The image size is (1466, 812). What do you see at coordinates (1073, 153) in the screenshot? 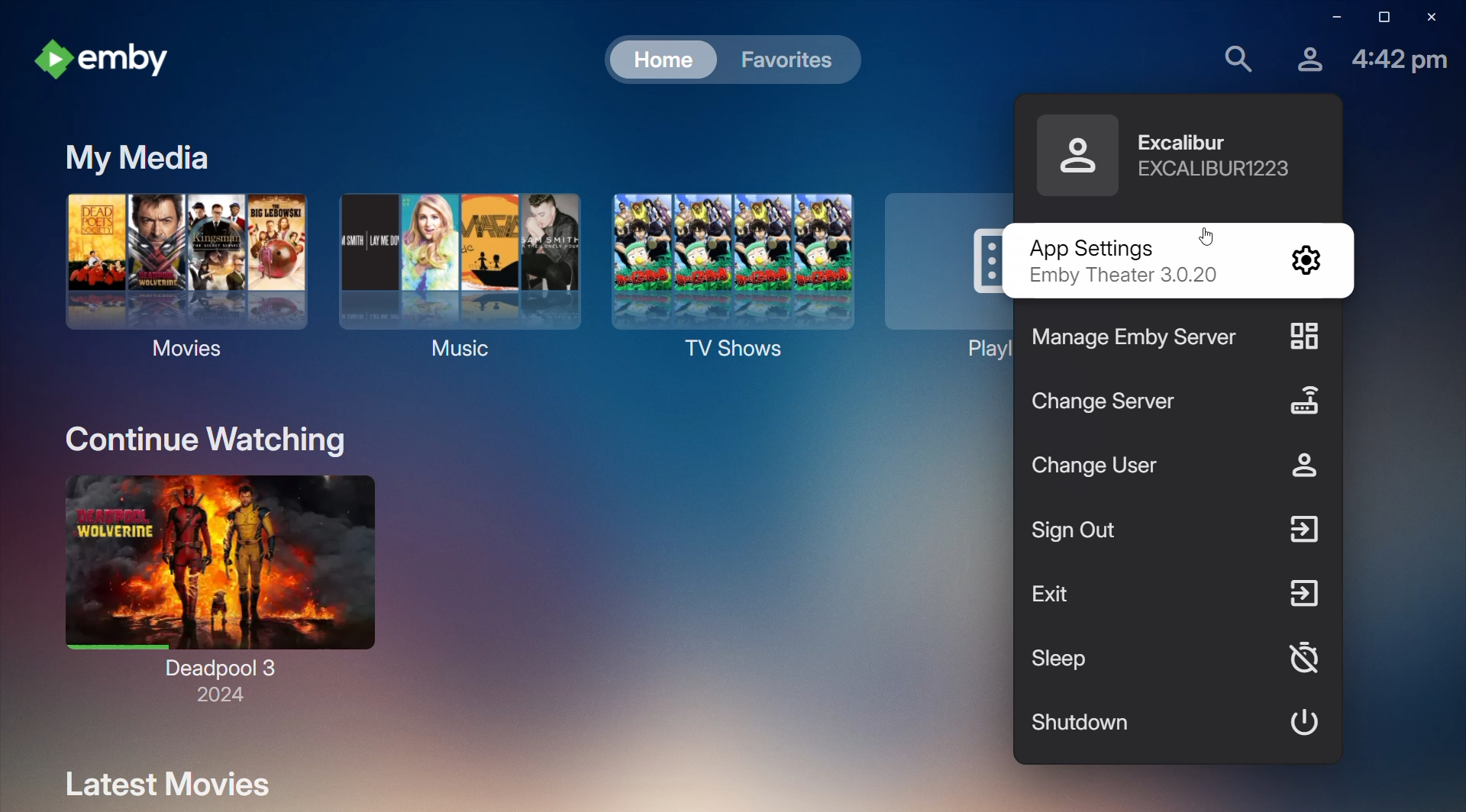
I see `profile picture` at bounding box center [1073, 153].